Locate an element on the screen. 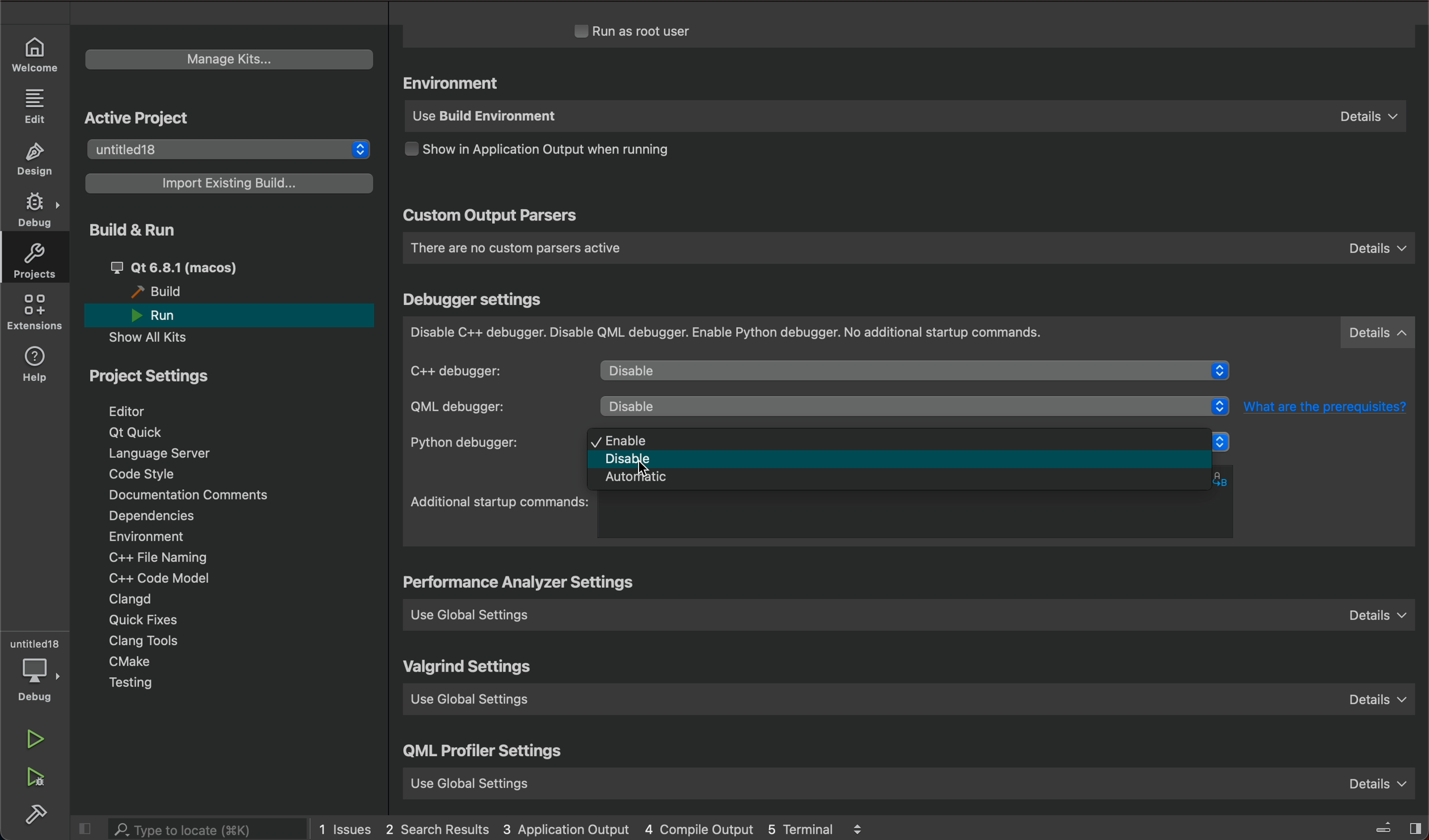  qt  is located at coordinates (139, 431).